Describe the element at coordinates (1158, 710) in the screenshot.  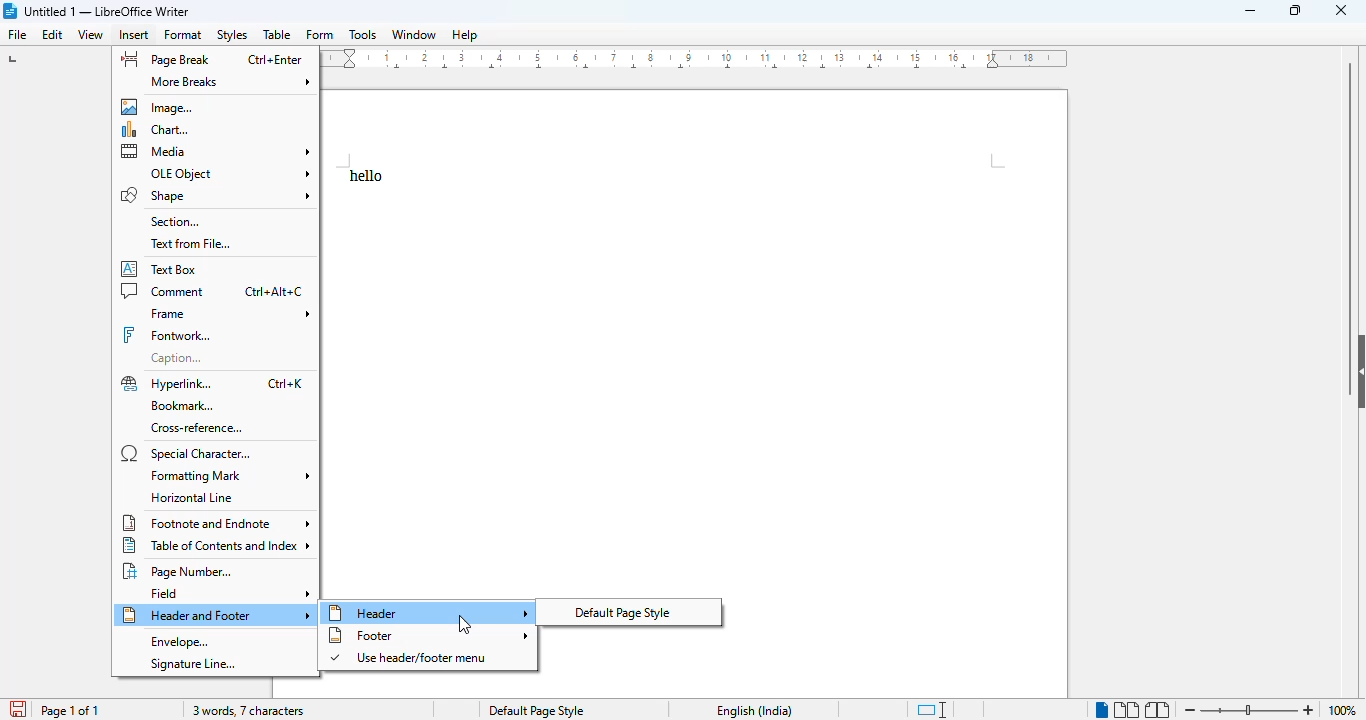
I see `book view` at that location.